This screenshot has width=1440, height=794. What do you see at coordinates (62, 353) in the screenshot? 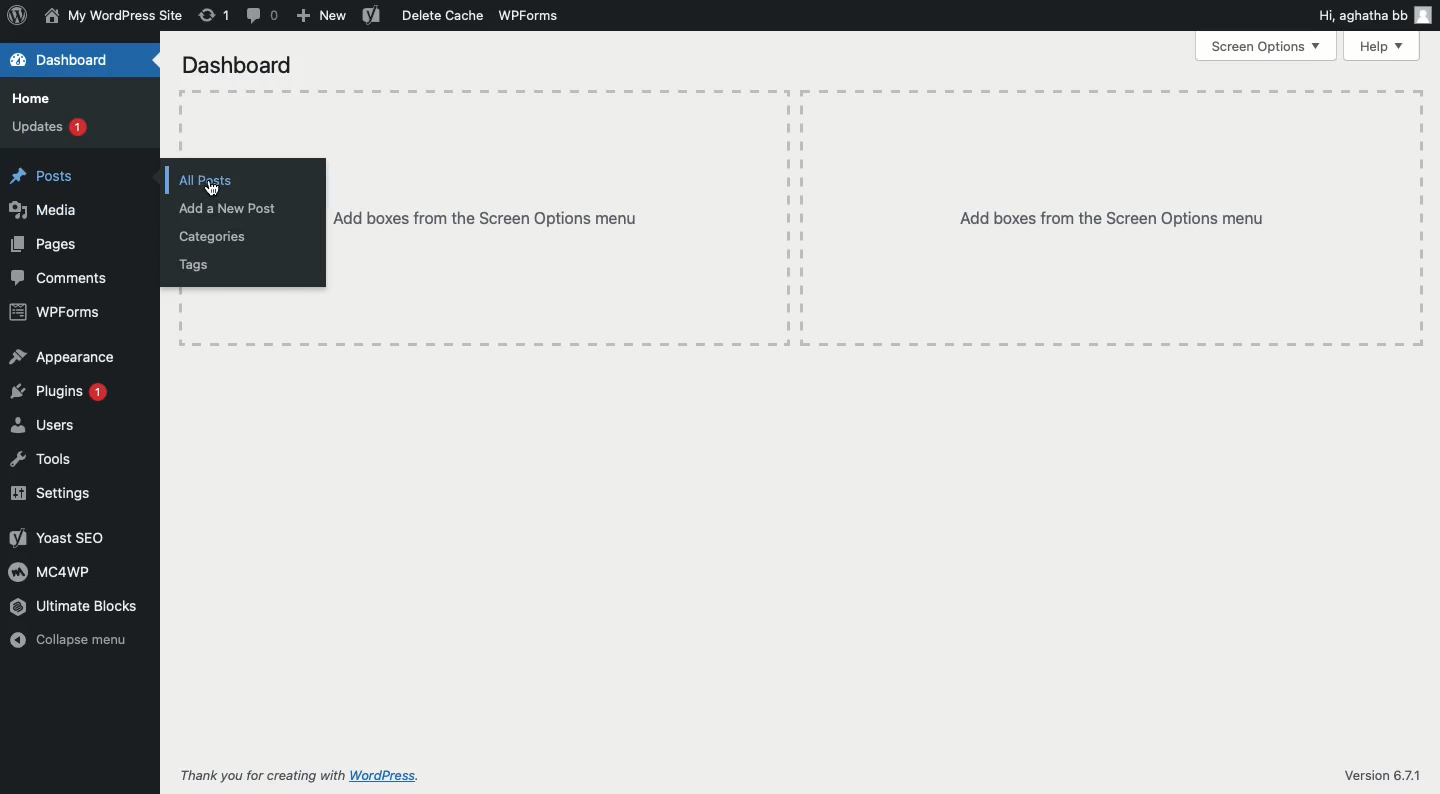
I see `Appearance` at bounding box center [62, 353].